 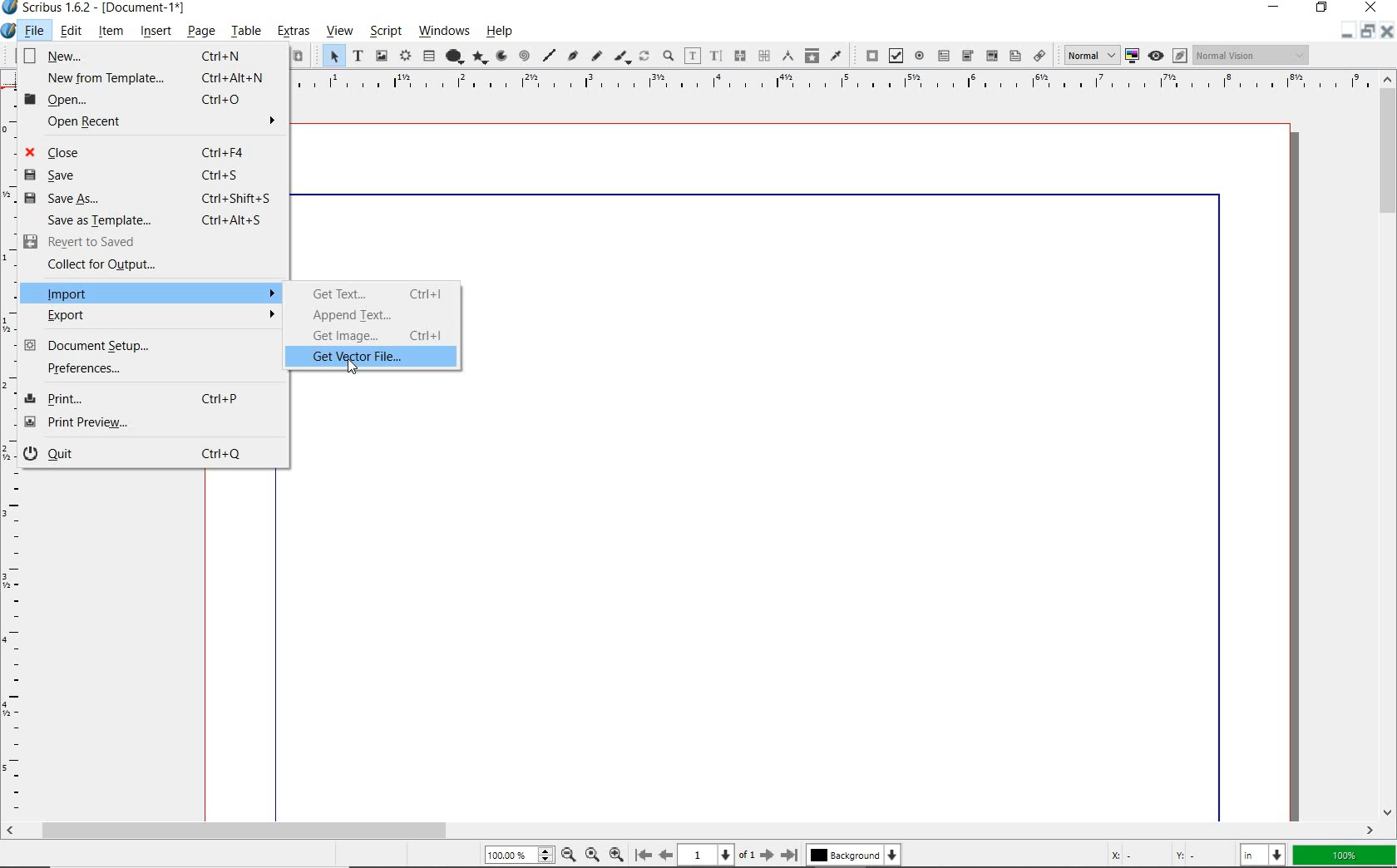 I want to click on render frame, so click(x=403, y=57).